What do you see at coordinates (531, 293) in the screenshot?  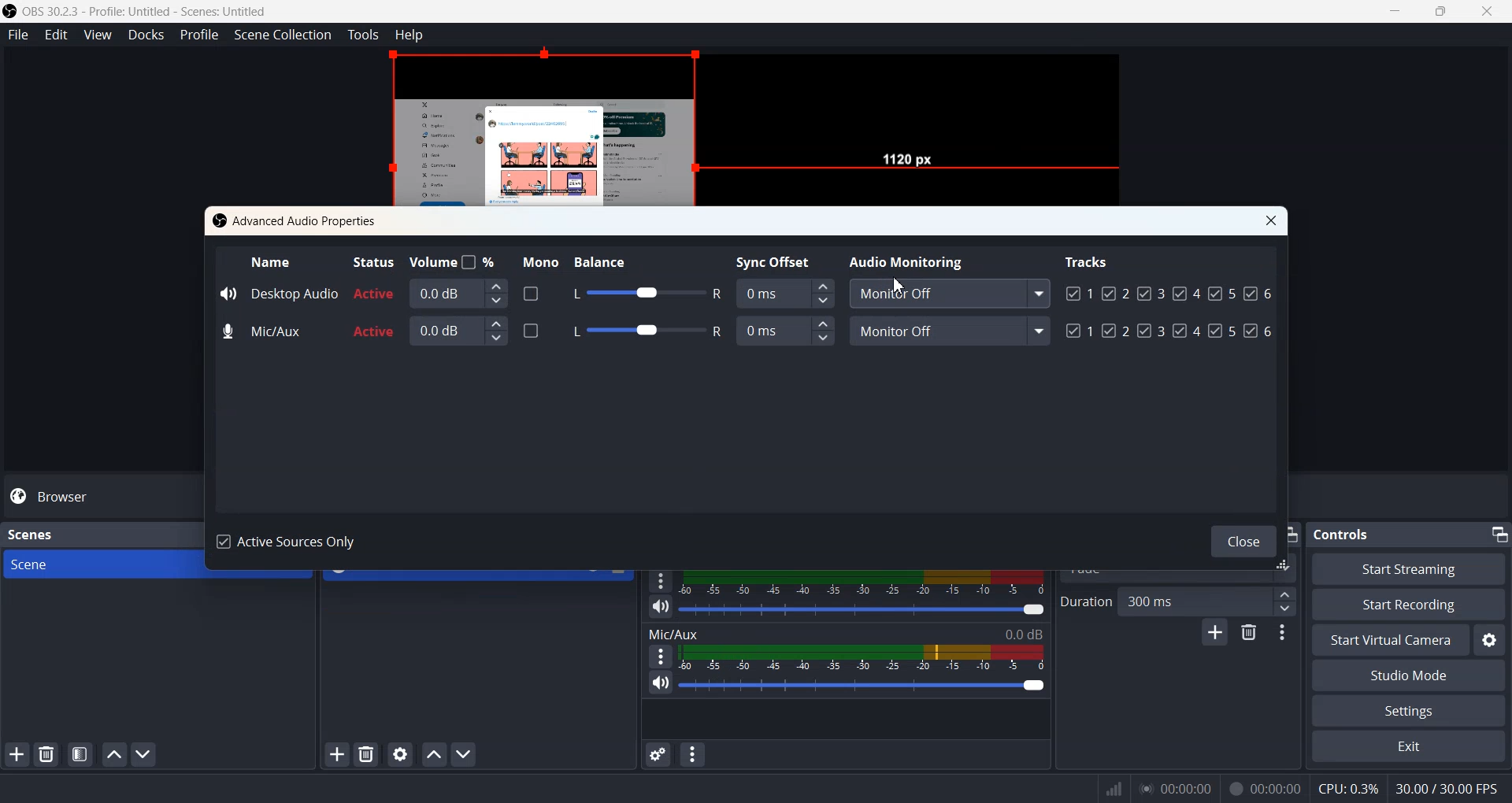 I see `Enable disable ` at bounding box center [531, 293].